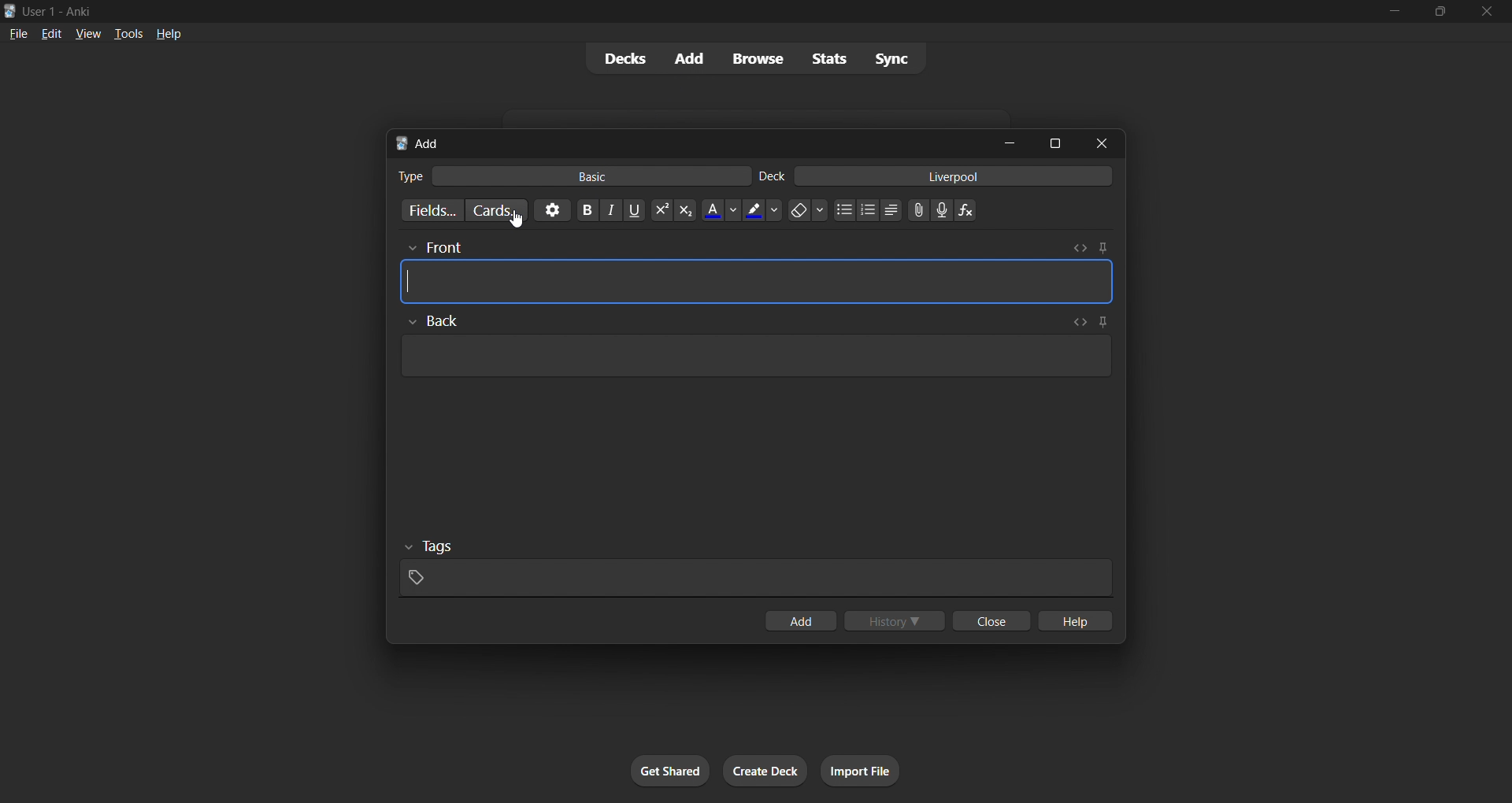  Describe the element at coordinates (667, 770) in the screenshot. I see `get shared` at that location.